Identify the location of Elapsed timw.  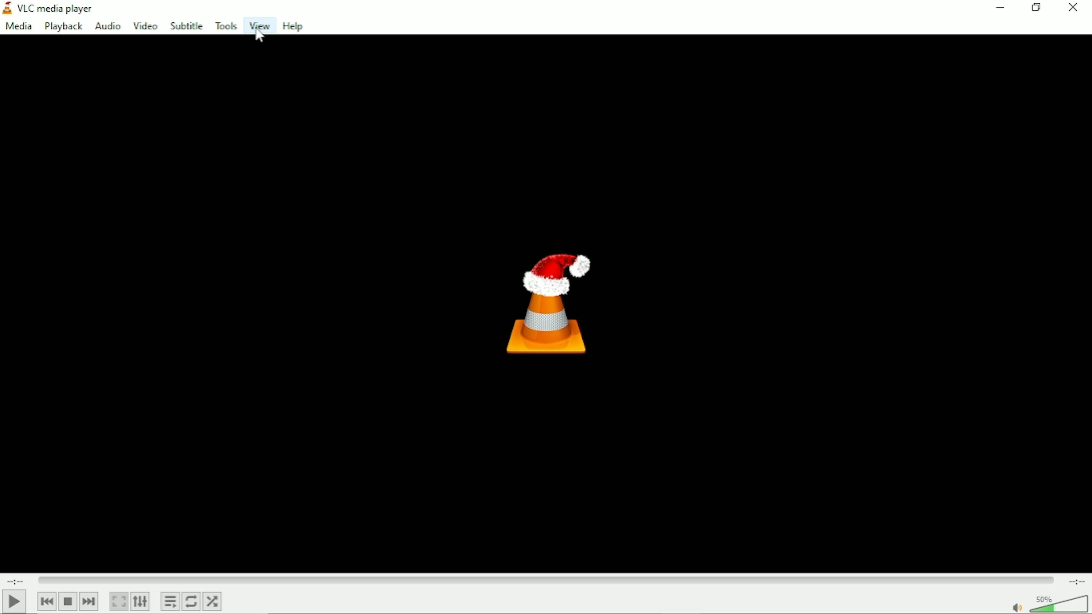
(13, 580).